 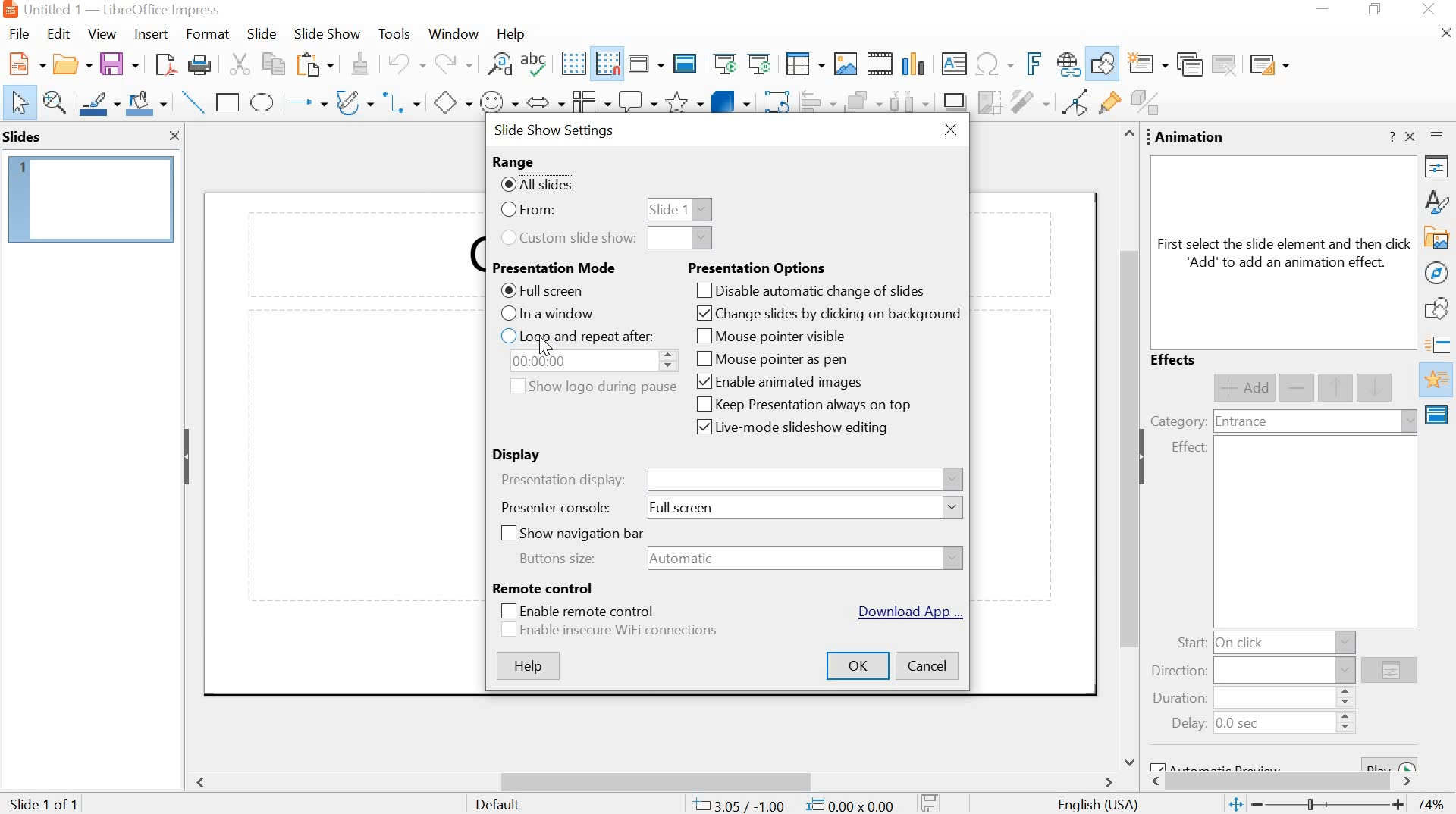 I want to click on ok, so click(x=857, y=665).